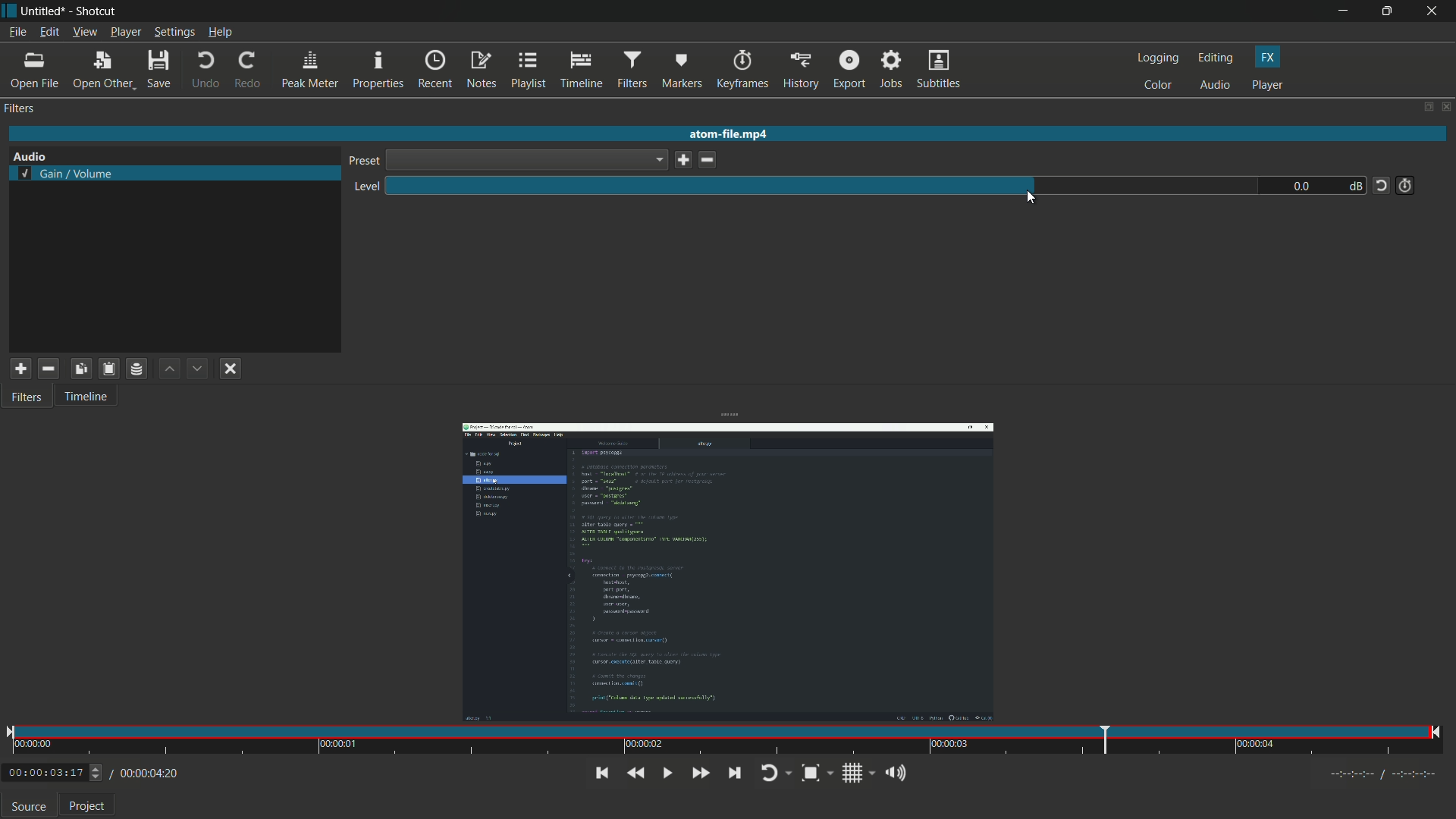 Image resolution: width=1456 pixels, height=819 pixels. I want to click on peak meter, so click(311, 71).